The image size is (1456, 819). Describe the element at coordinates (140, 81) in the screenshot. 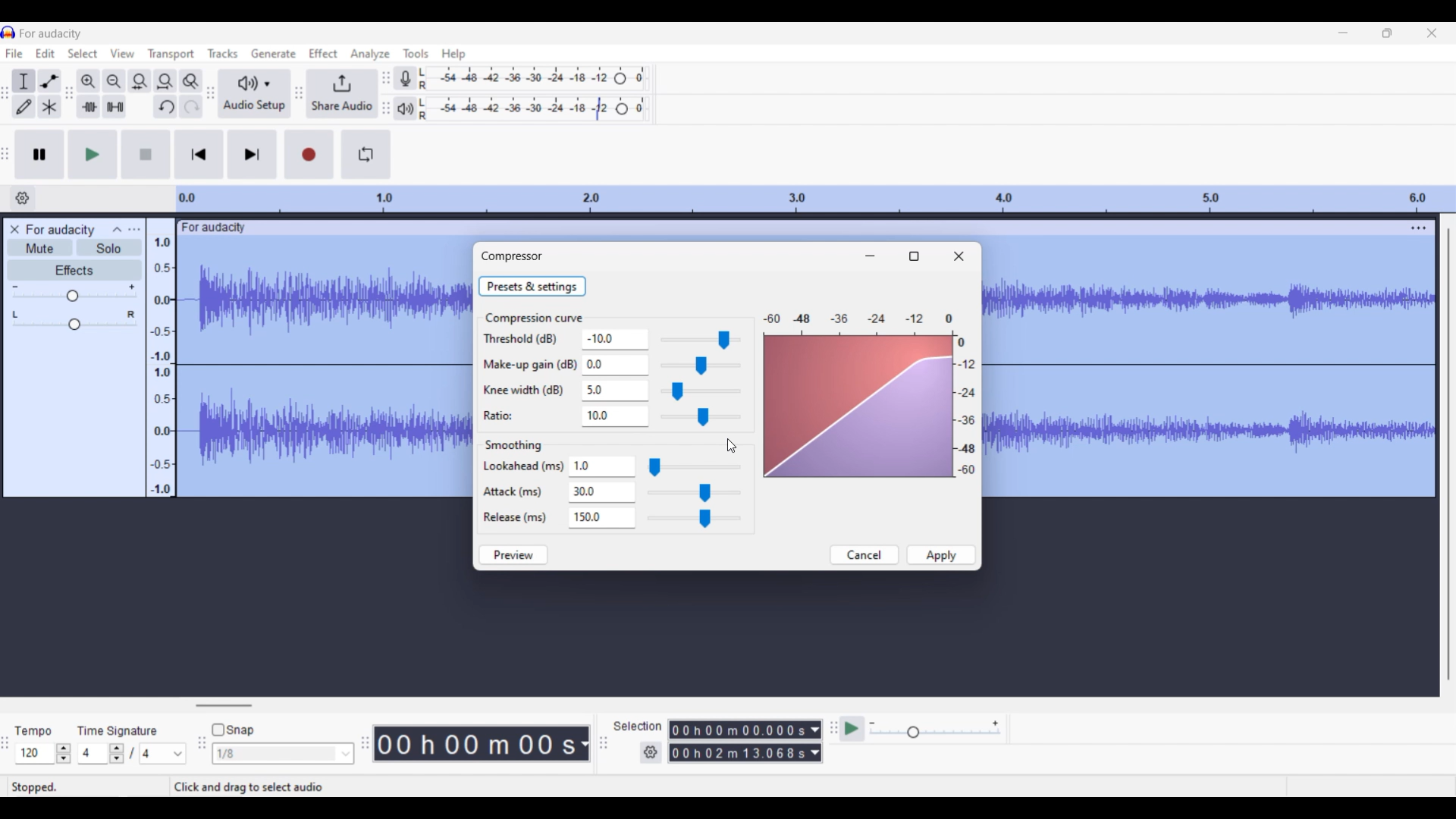

I see `Fit selection to width` at that location.